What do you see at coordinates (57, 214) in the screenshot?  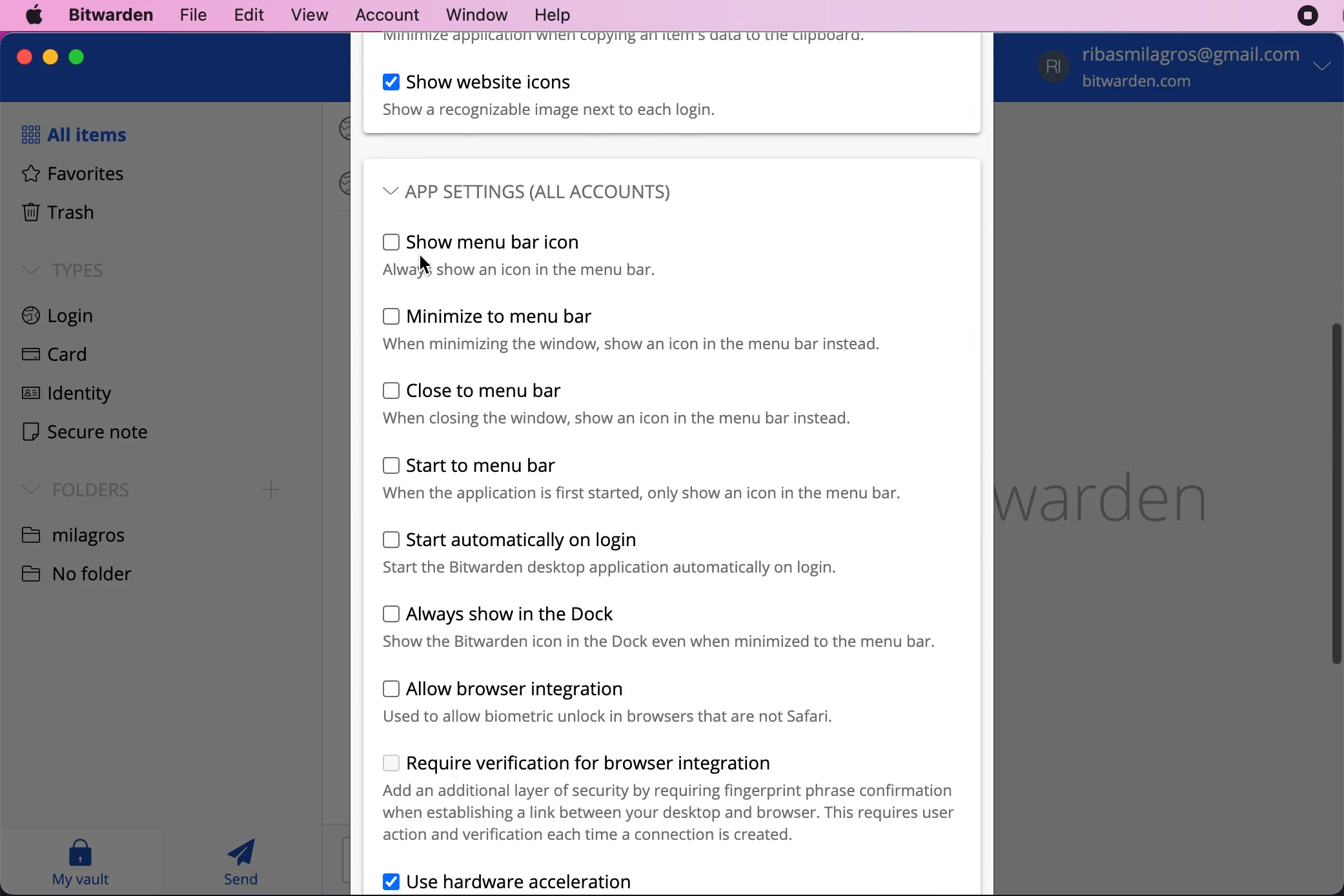 I see `trash` at bounding box center [57, 214].